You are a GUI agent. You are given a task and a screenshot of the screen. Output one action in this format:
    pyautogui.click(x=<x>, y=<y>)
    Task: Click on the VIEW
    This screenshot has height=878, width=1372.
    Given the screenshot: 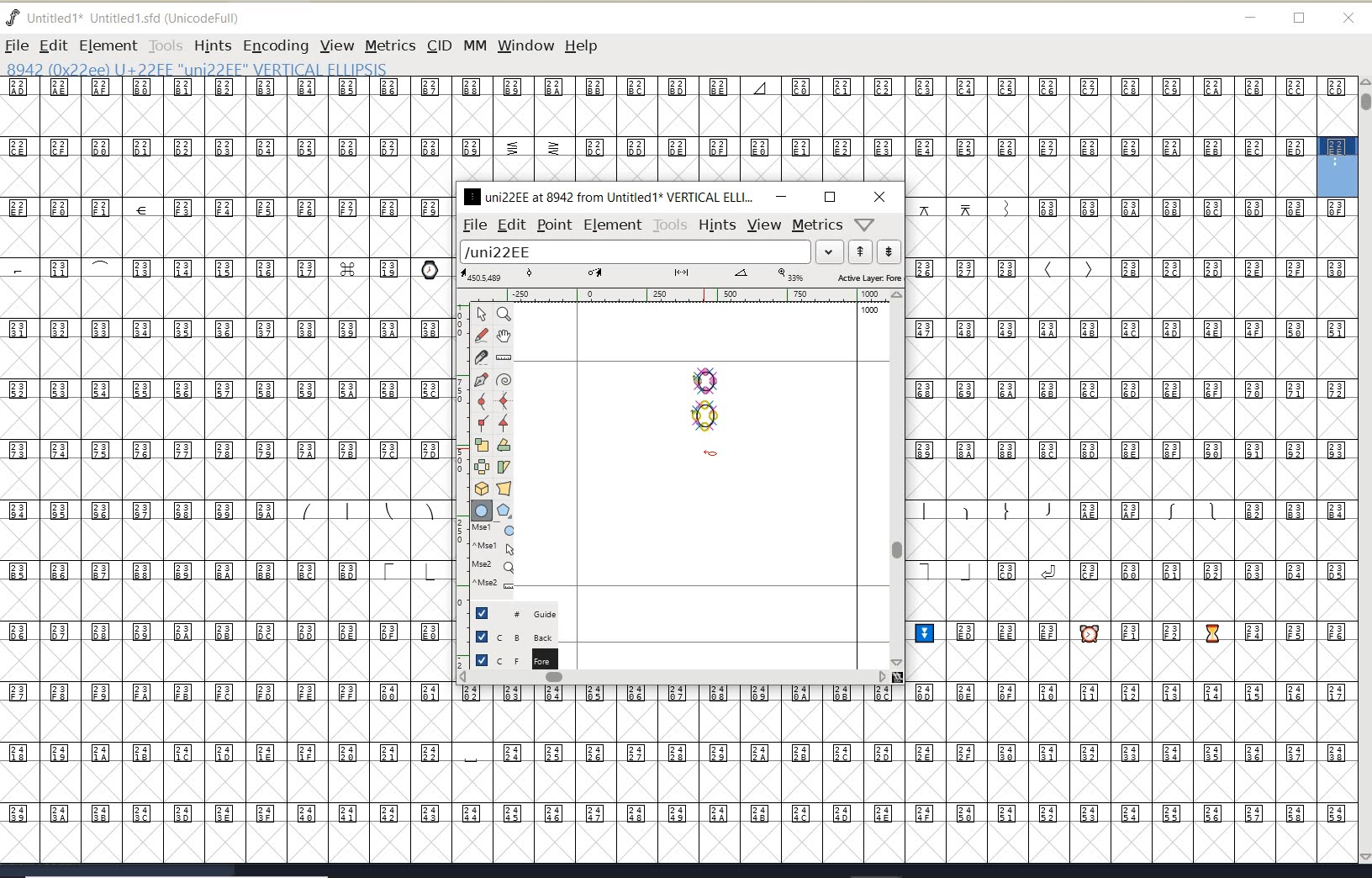 What is the action you would take?
    pyautogui.click(x=335, y=45)
    